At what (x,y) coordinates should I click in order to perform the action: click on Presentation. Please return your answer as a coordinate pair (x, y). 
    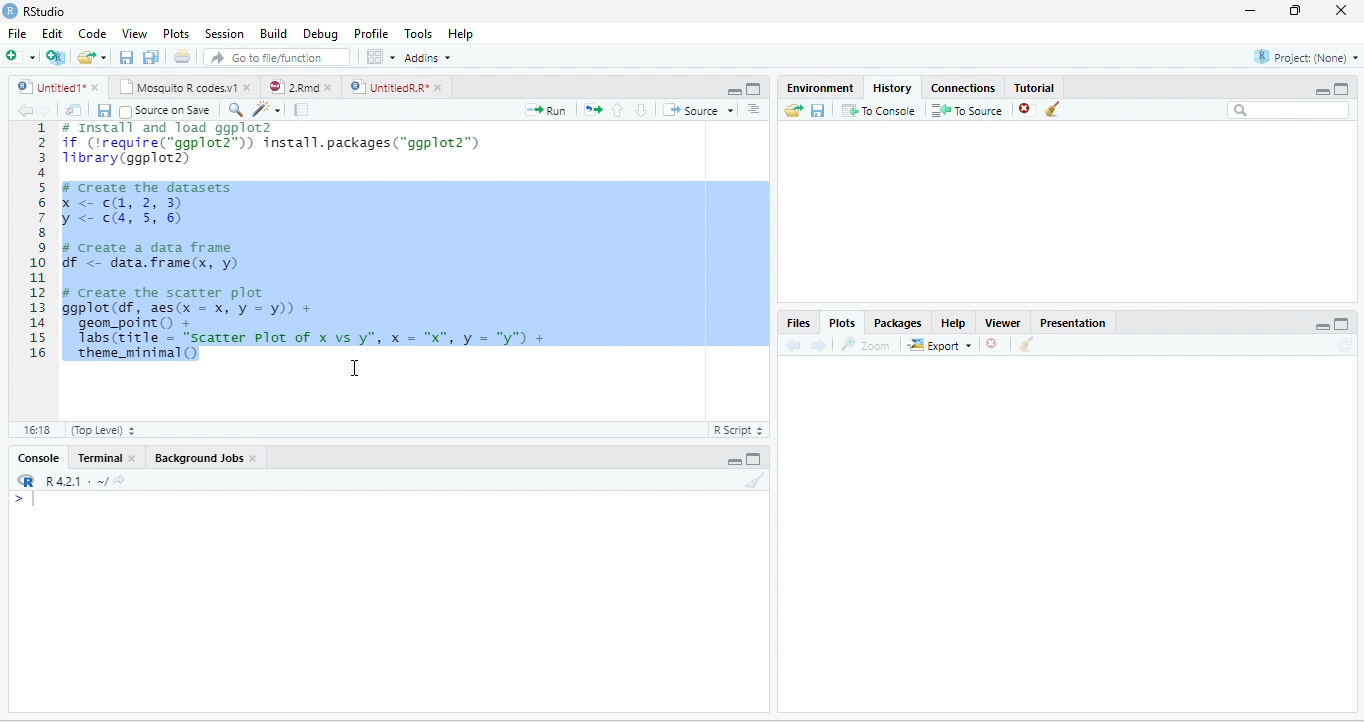
    Looking at the image, I should click on (1073, 322).